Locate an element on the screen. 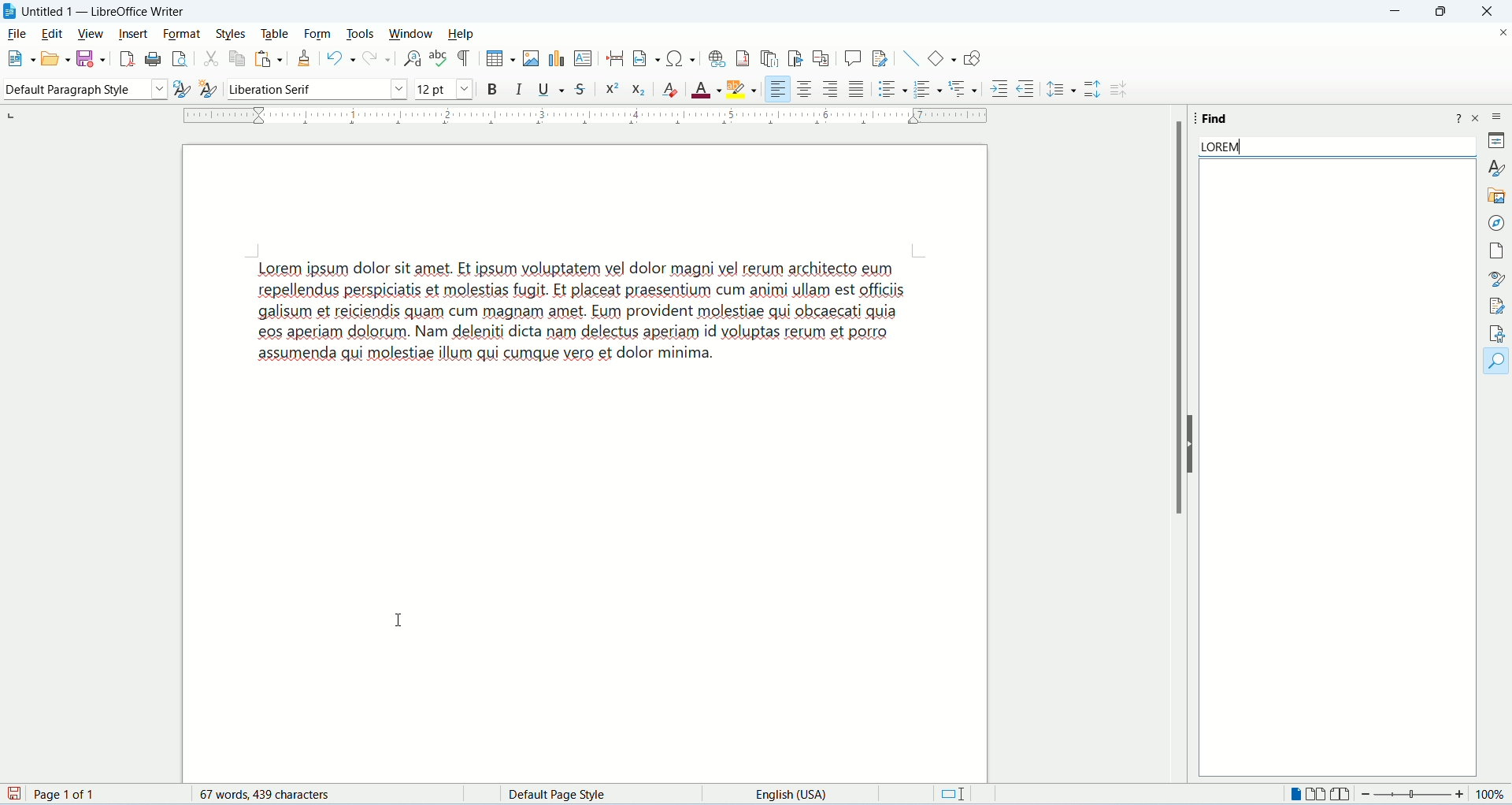 The height and width of the screenshot is (805, 1512). new is located at coordinates (12, 59).